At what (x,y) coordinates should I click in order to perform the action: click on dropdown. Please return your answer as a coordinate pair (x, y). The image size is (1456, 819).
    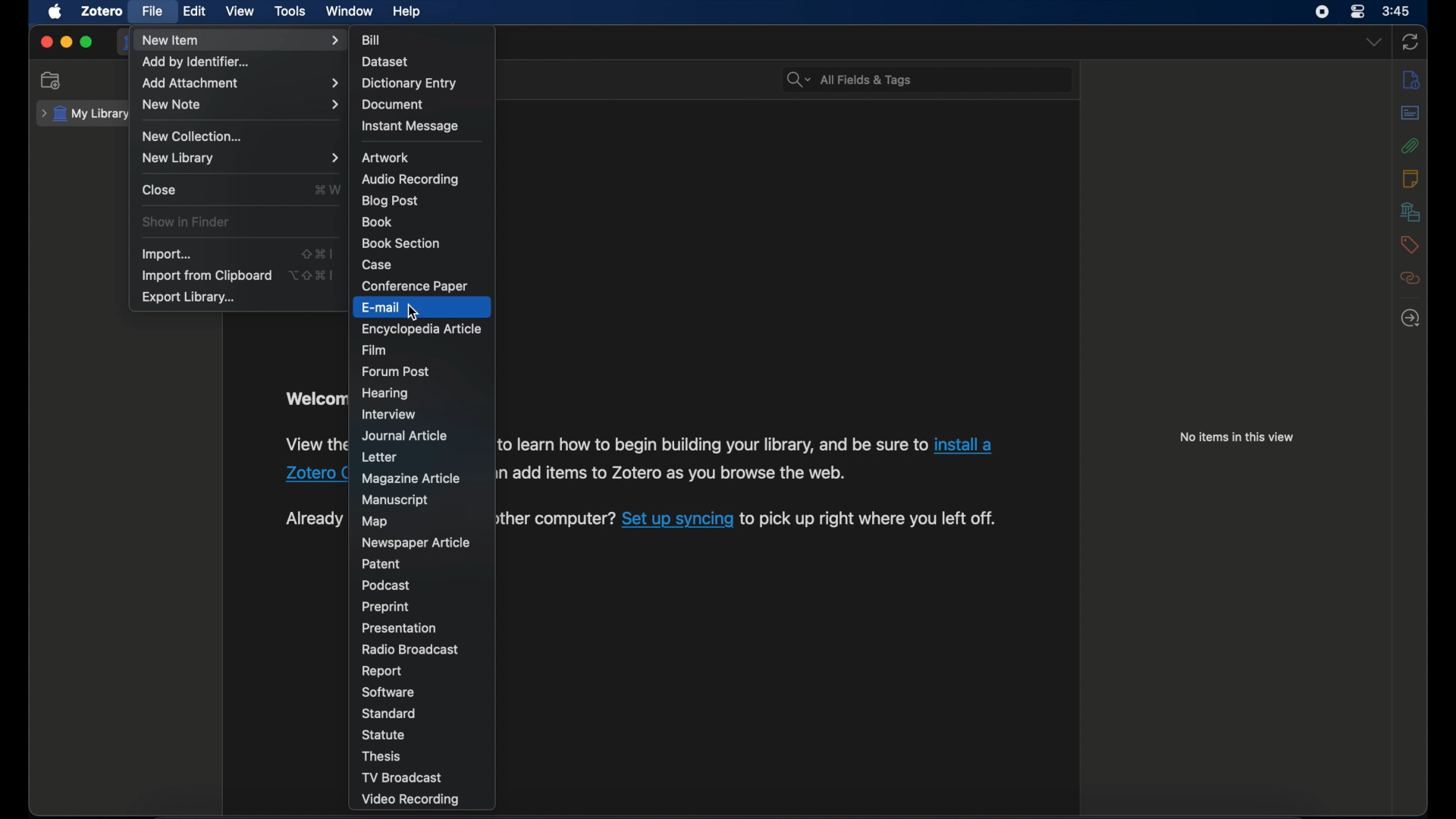
    Looking at the image, I should click on (1373, 42).